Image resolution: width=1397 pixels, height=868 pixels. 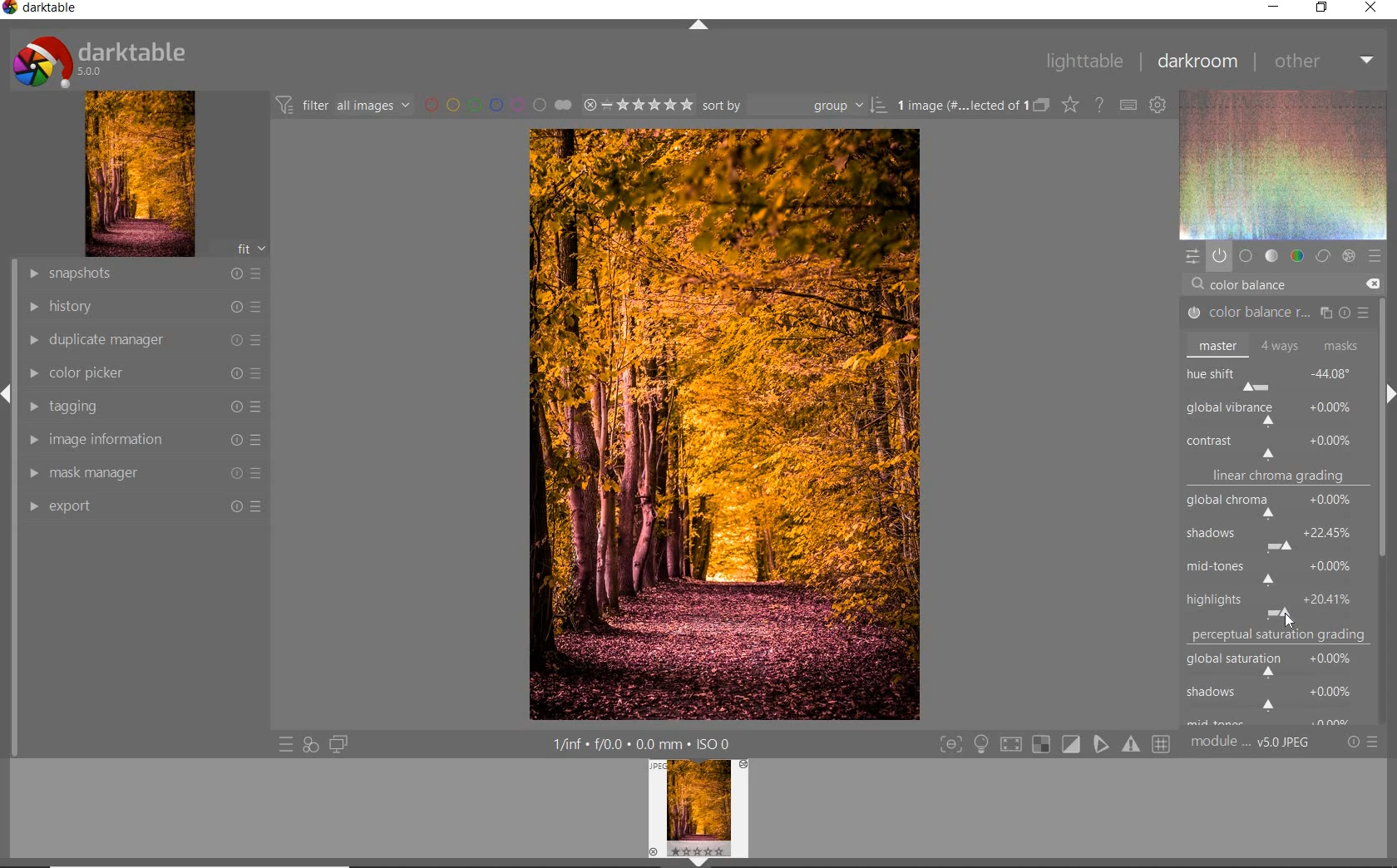 What do you see at coordinates (1389, 388) in the screenshot?
I see `expand/collapse` at bounding box center [1389, 388].